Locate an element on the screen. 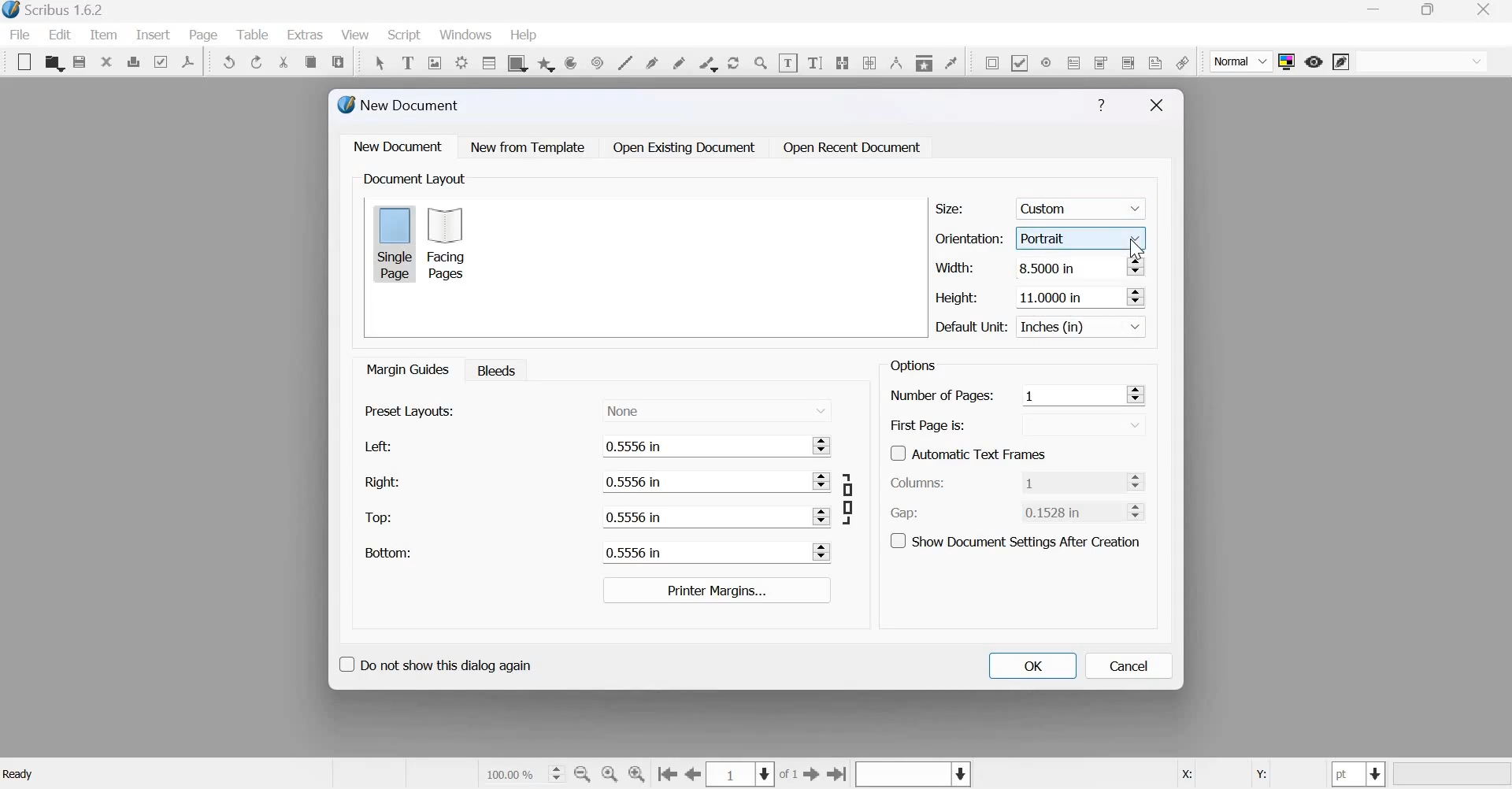  Zoom in or zoom out is located at coordinates (761, 62).